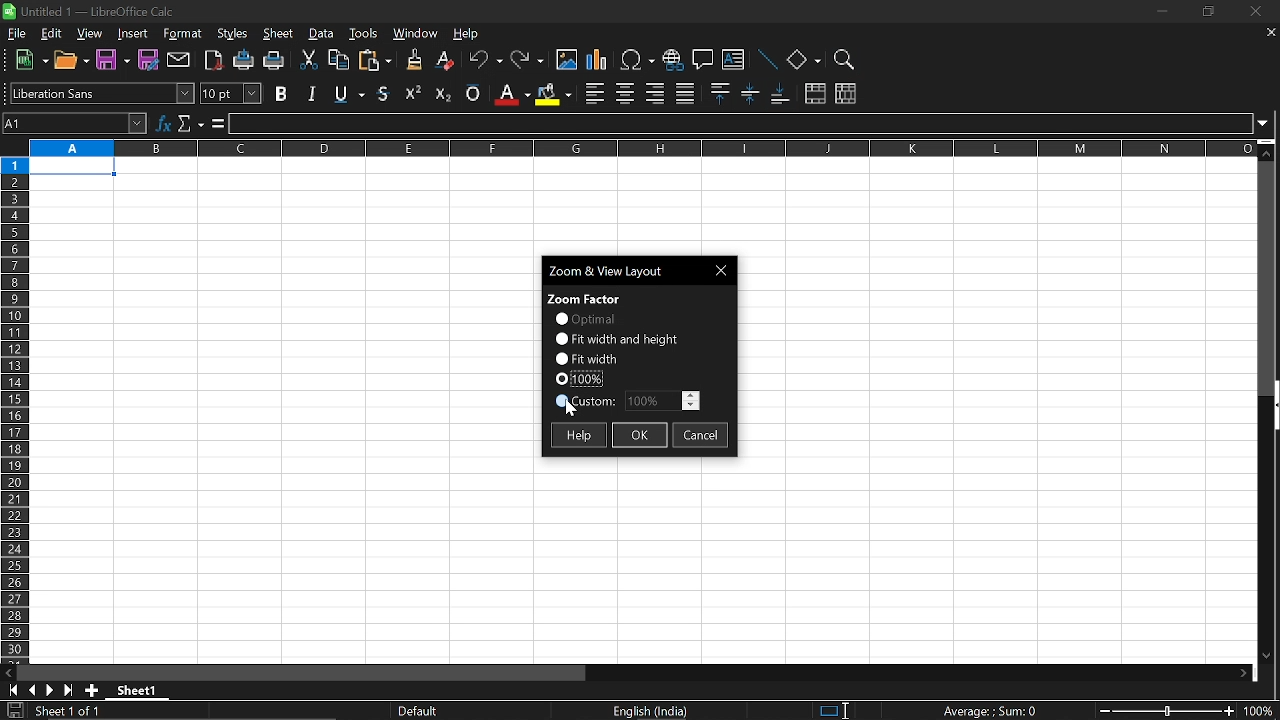  What do you see at coordinates (625, 94) in the screenshot?
I see `align center` at bounding box center [625, 94].